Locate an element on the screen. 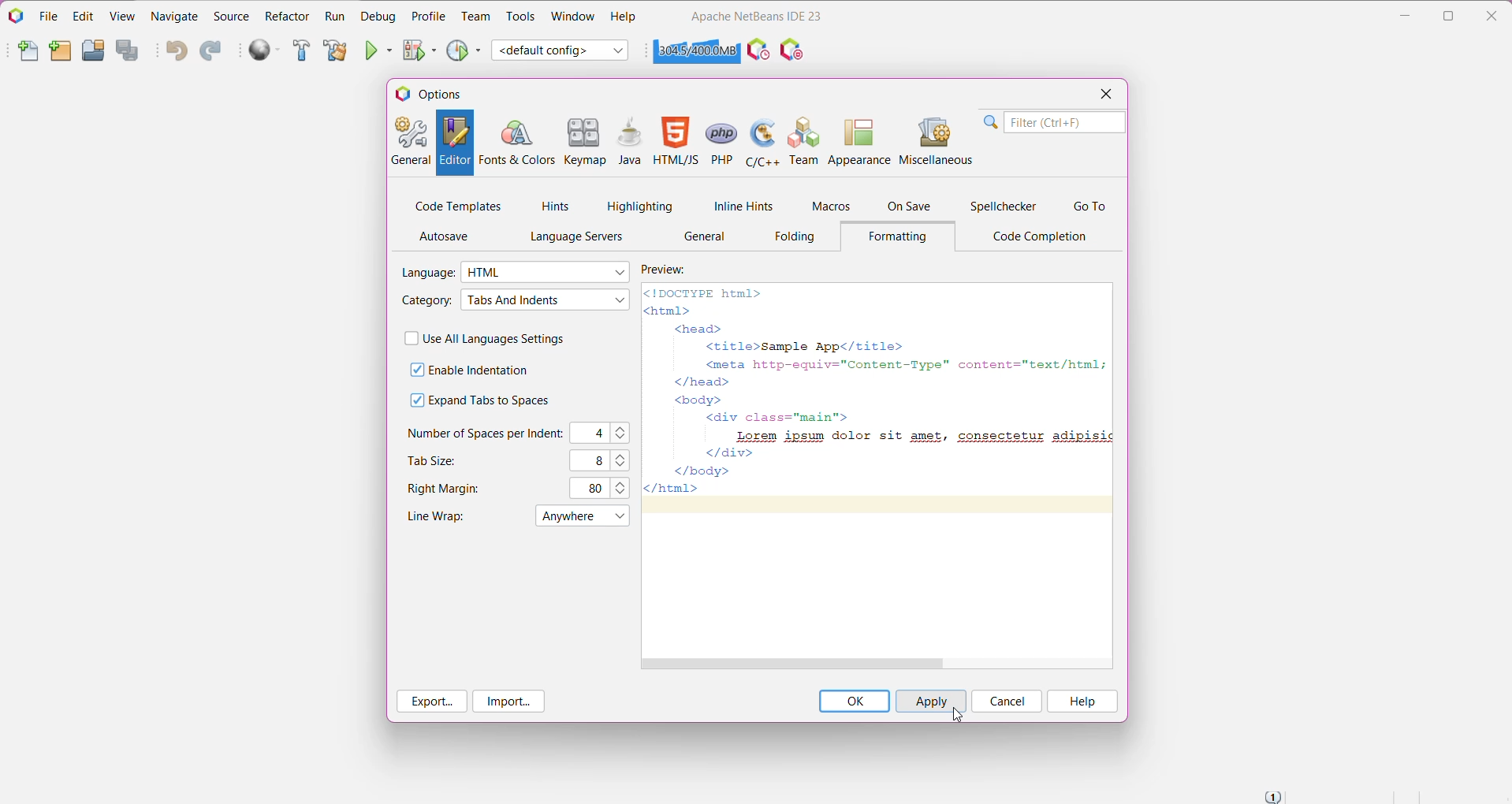 The width and height of the screenshot is (1512, 804). Set the required tab size is located at coordinates (623, 460).